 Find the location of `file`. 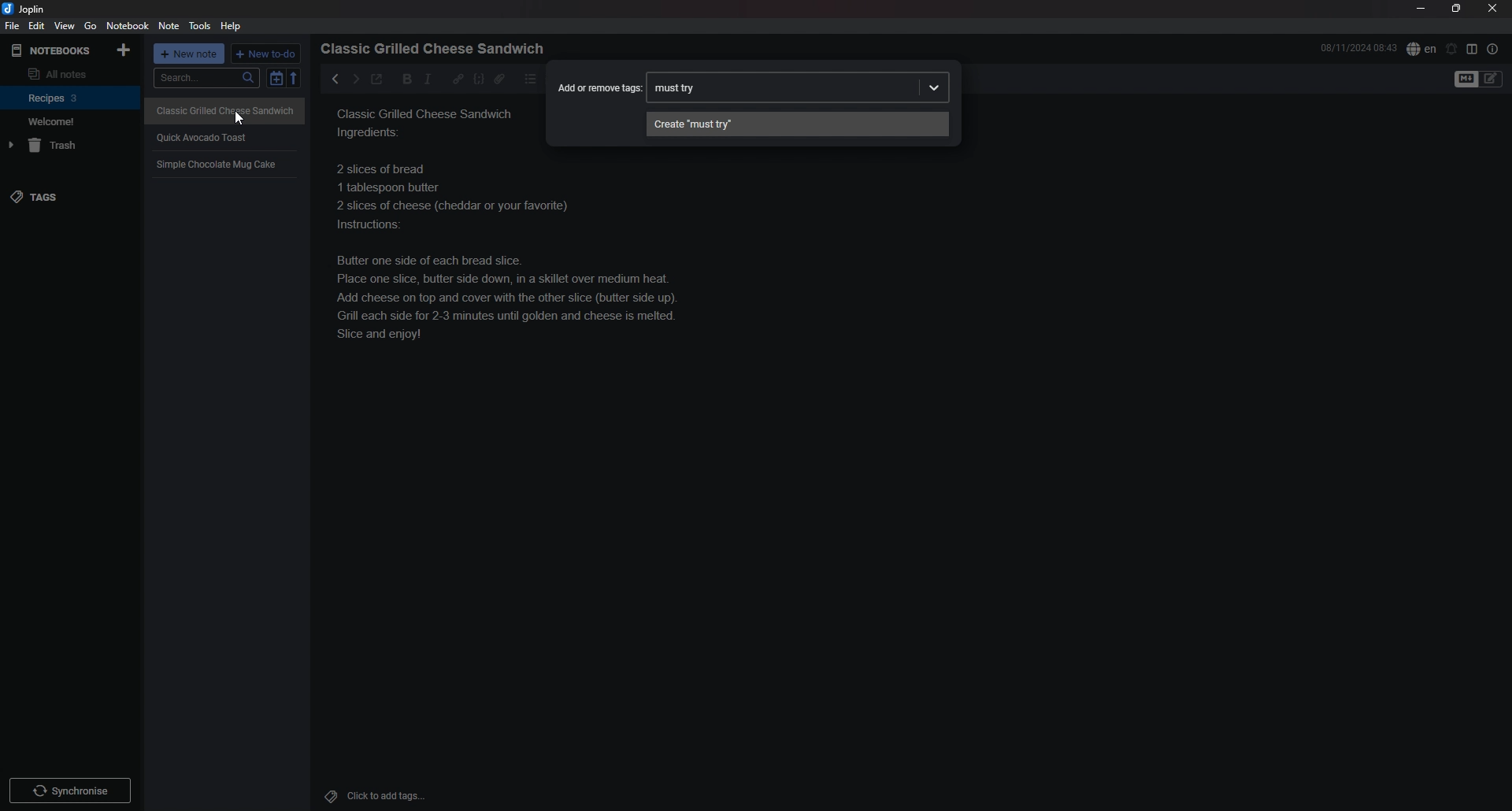

file is located at coordinates (11, 25).